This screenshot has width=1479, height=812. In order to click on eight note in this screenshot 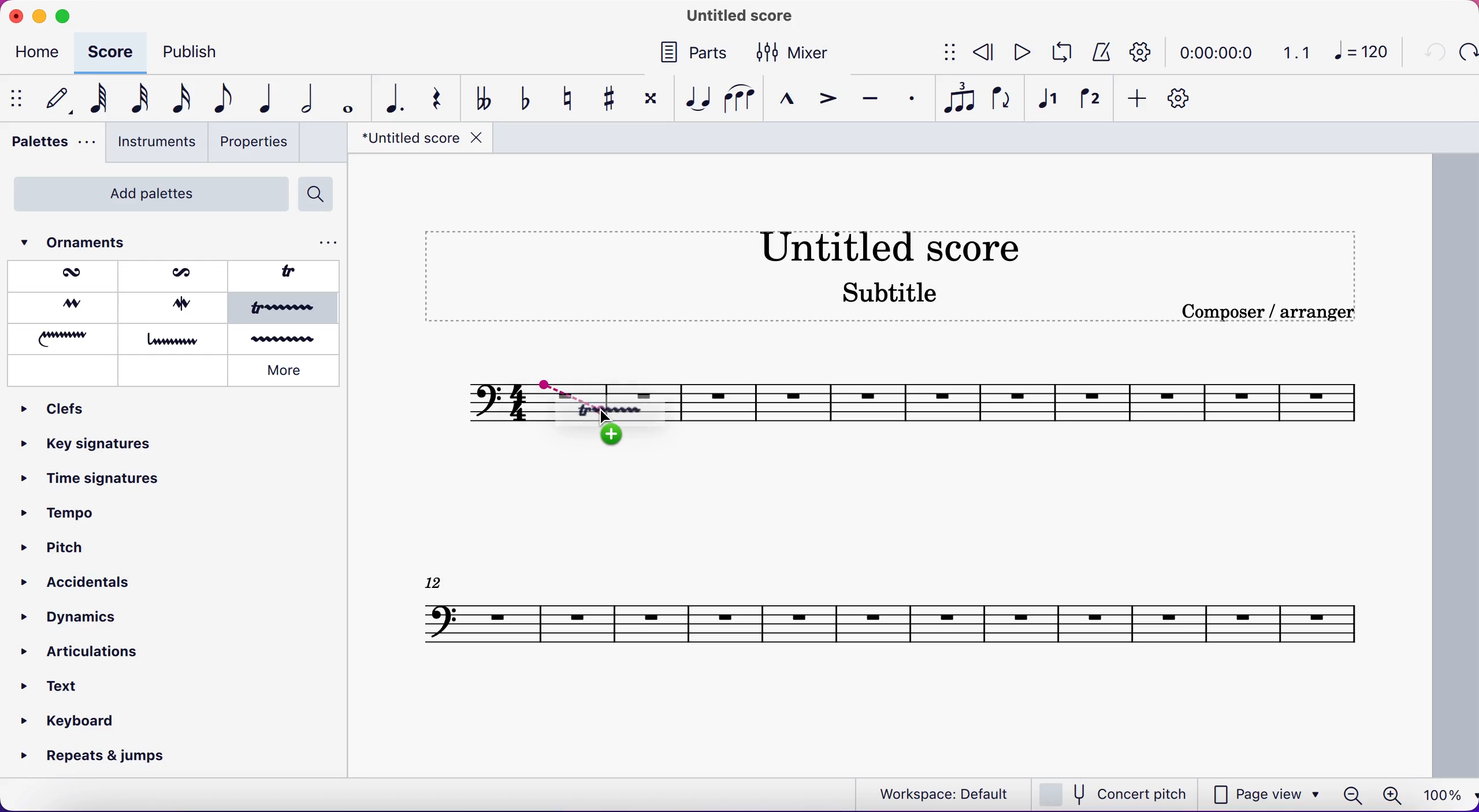, I will do `click(222, 100)`.